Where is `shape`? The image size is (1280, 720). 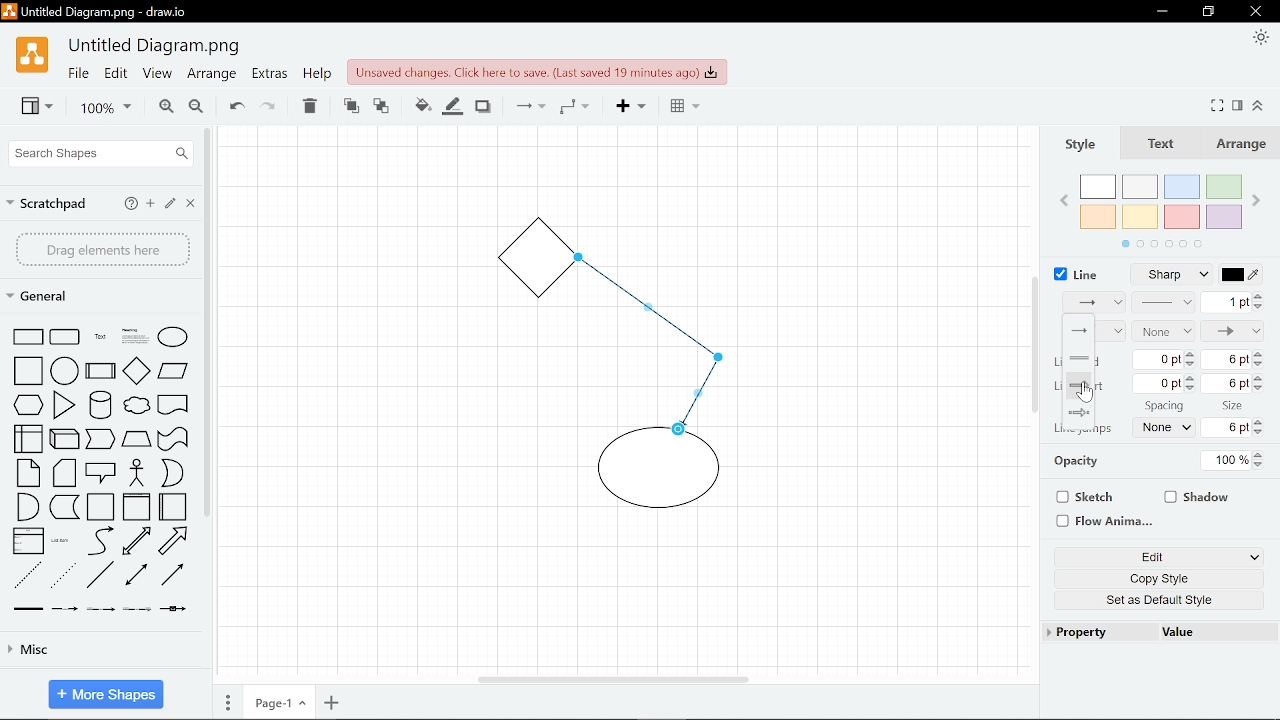
shape is located at coordinates (101, 576).